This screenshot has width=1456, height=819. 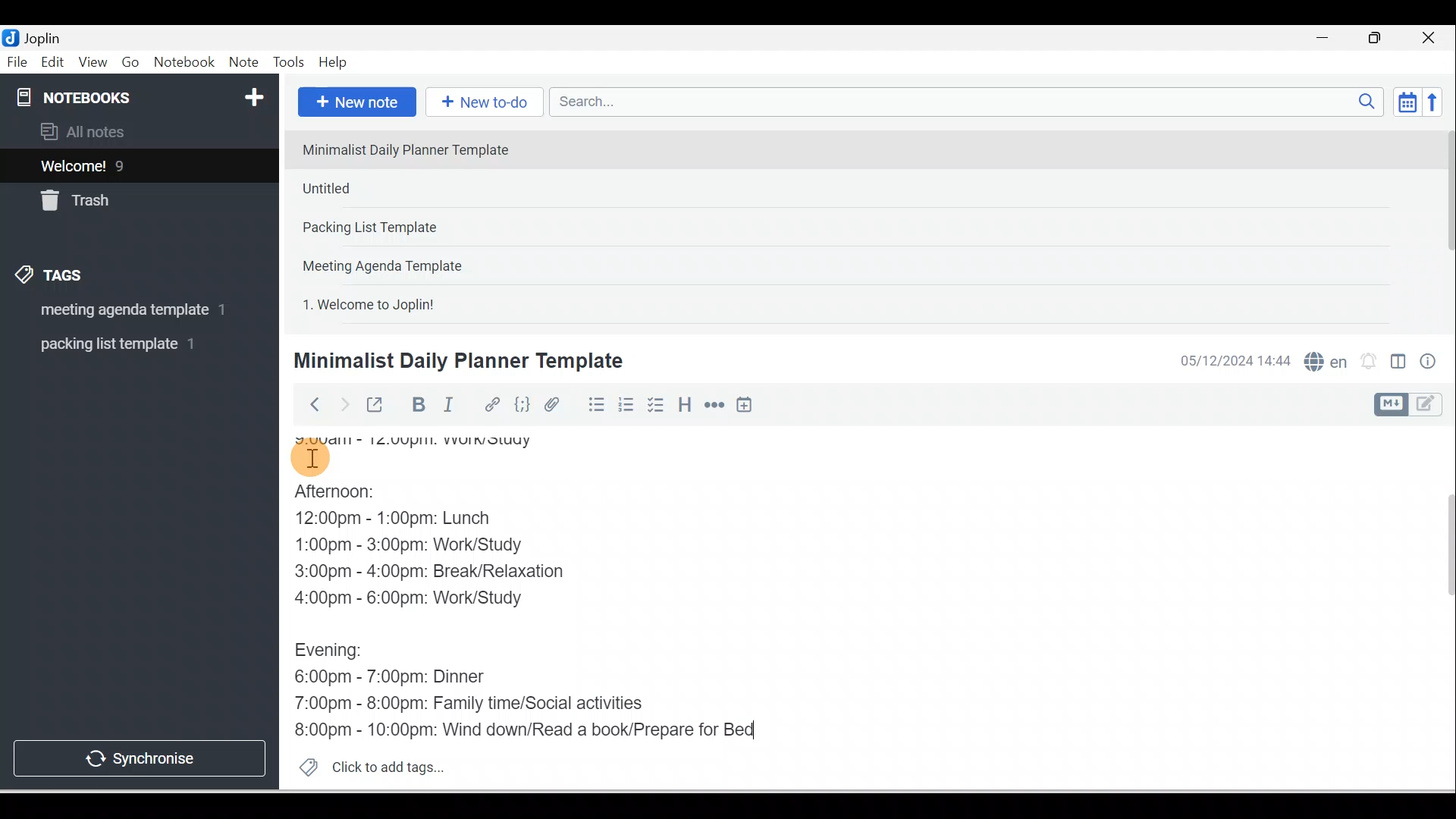 What do you see at coordinates (143, 94) in the screenshot?
I see `Notebooks` at bounding box center [143, 94].